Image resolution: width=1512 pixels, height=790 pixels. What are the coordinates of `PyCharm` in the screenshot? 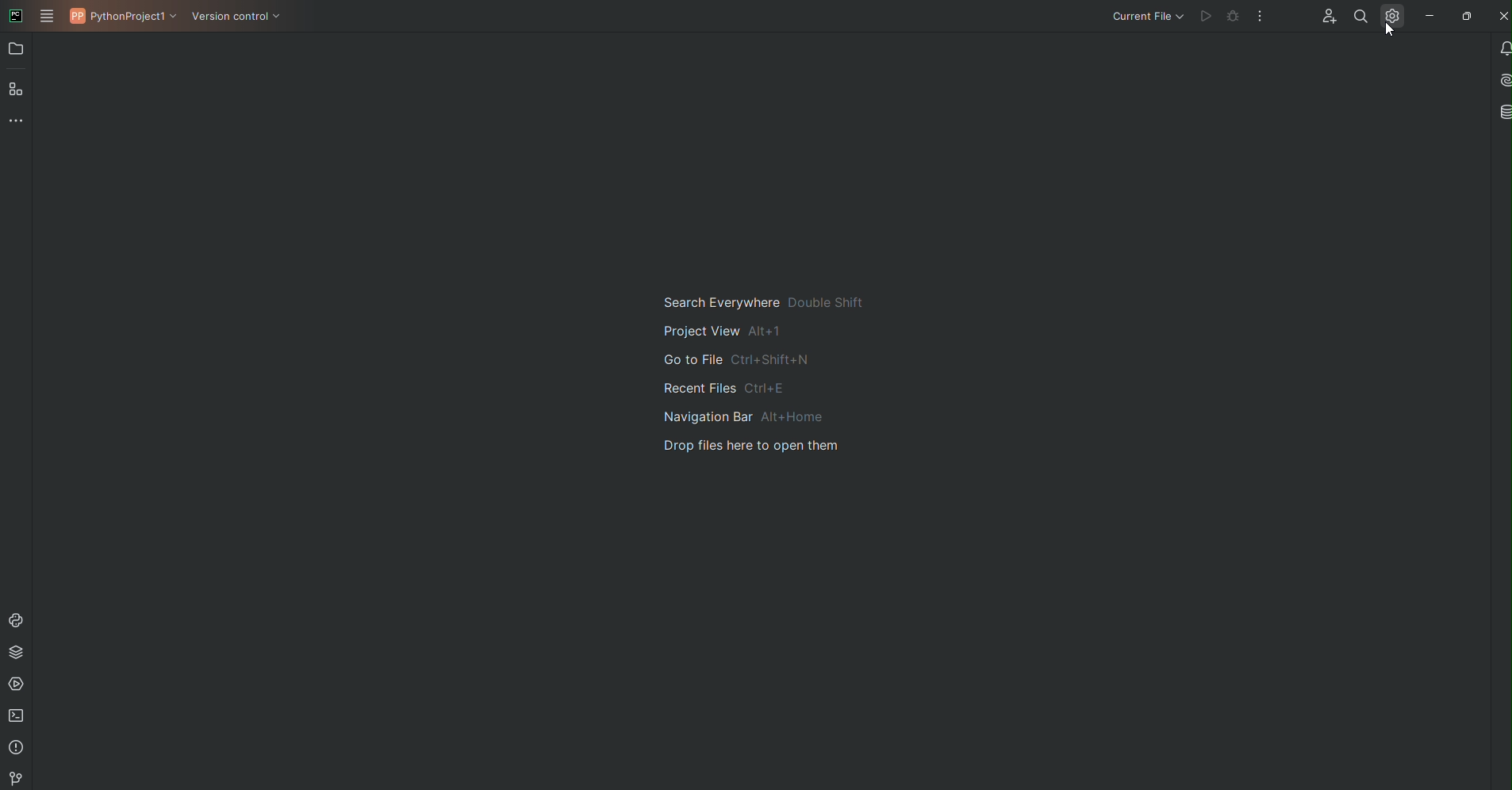 It's located at (15, 15).